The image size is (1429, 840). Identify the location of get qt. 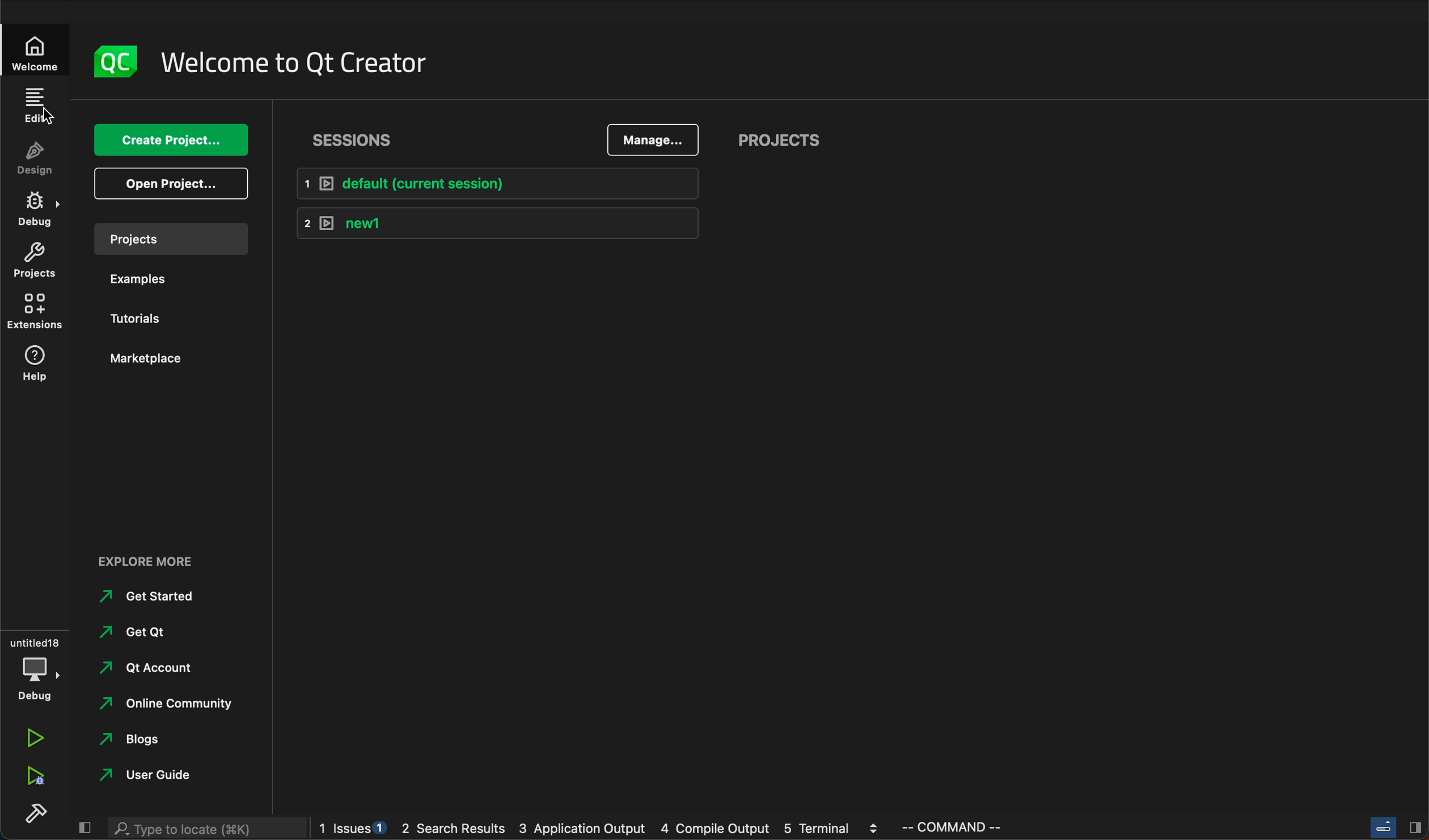
(142, 631).